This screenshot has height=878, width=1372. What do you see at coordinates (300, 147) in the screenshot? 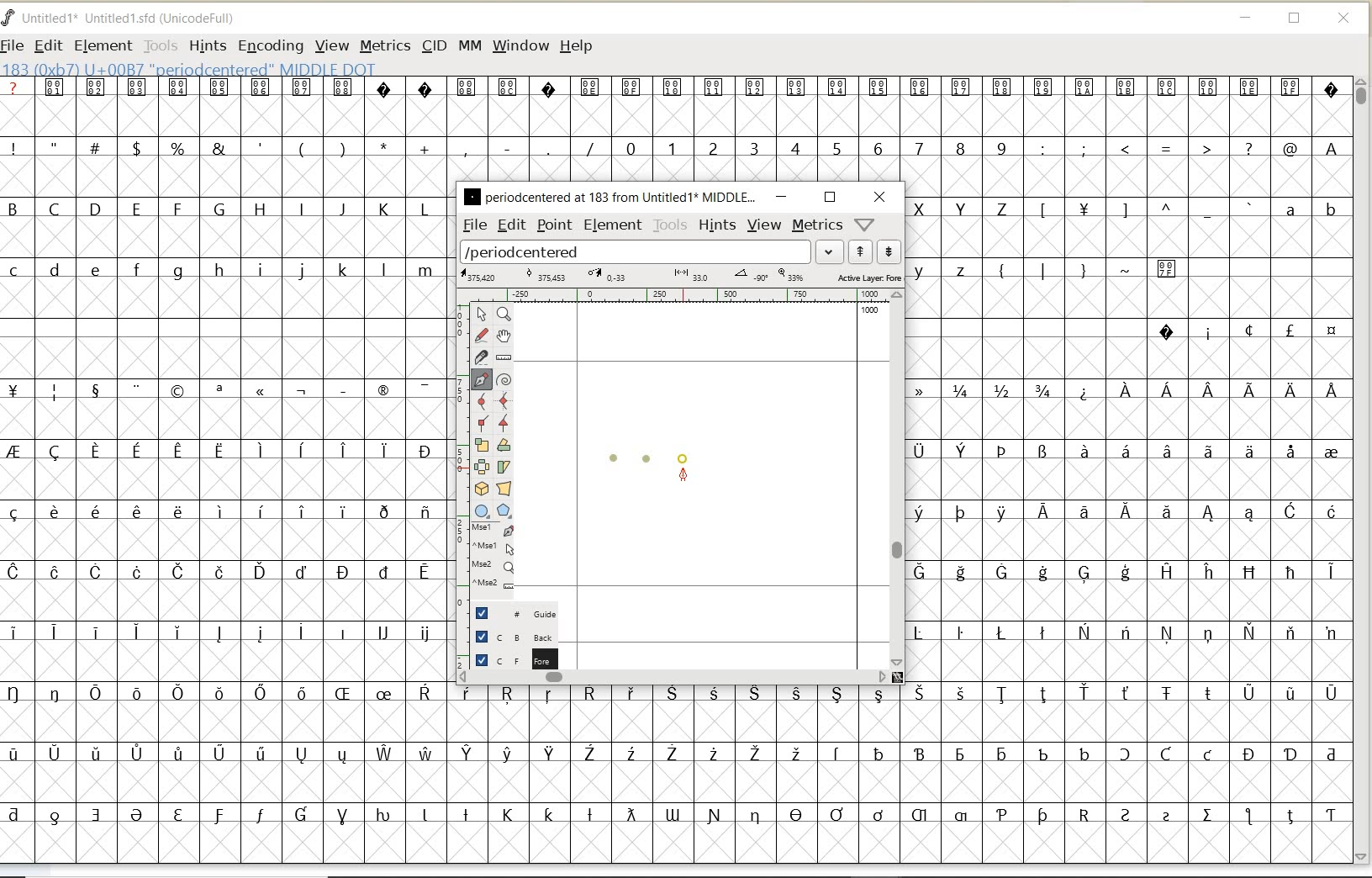
I see `special characters` at bounding box center [300, 147].